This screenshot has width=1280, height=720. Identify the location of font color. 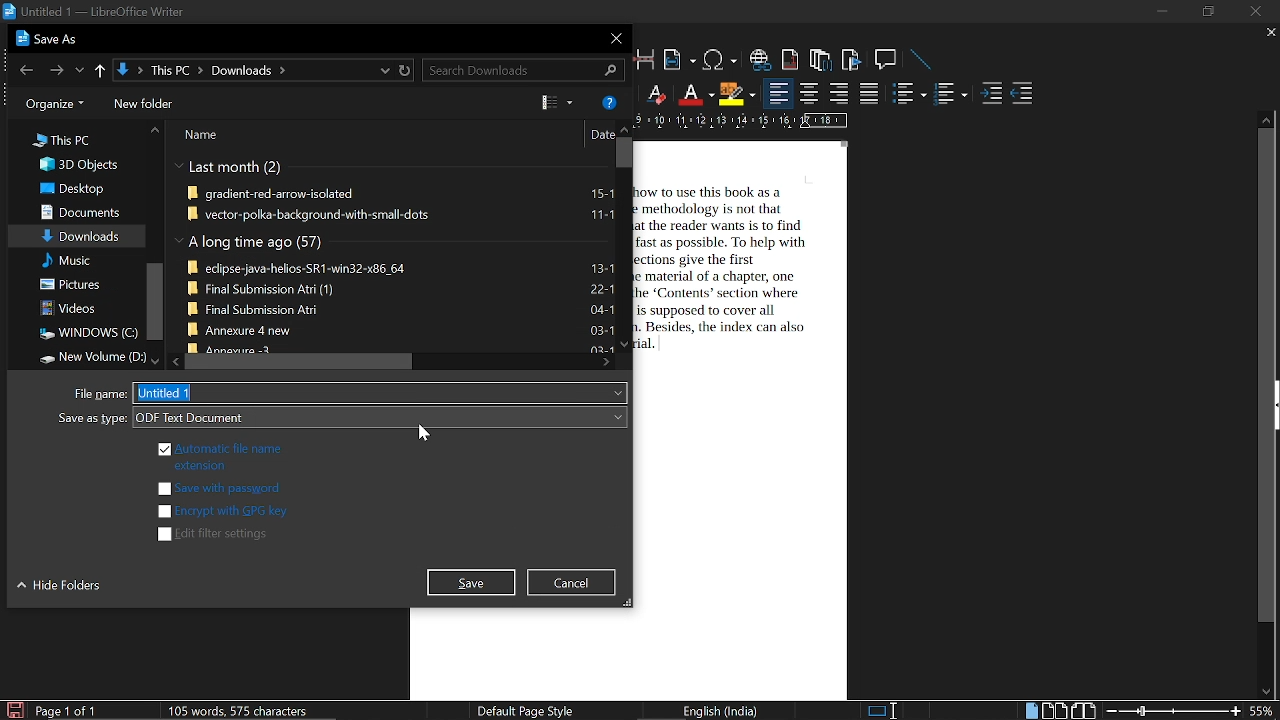
(694, 95).